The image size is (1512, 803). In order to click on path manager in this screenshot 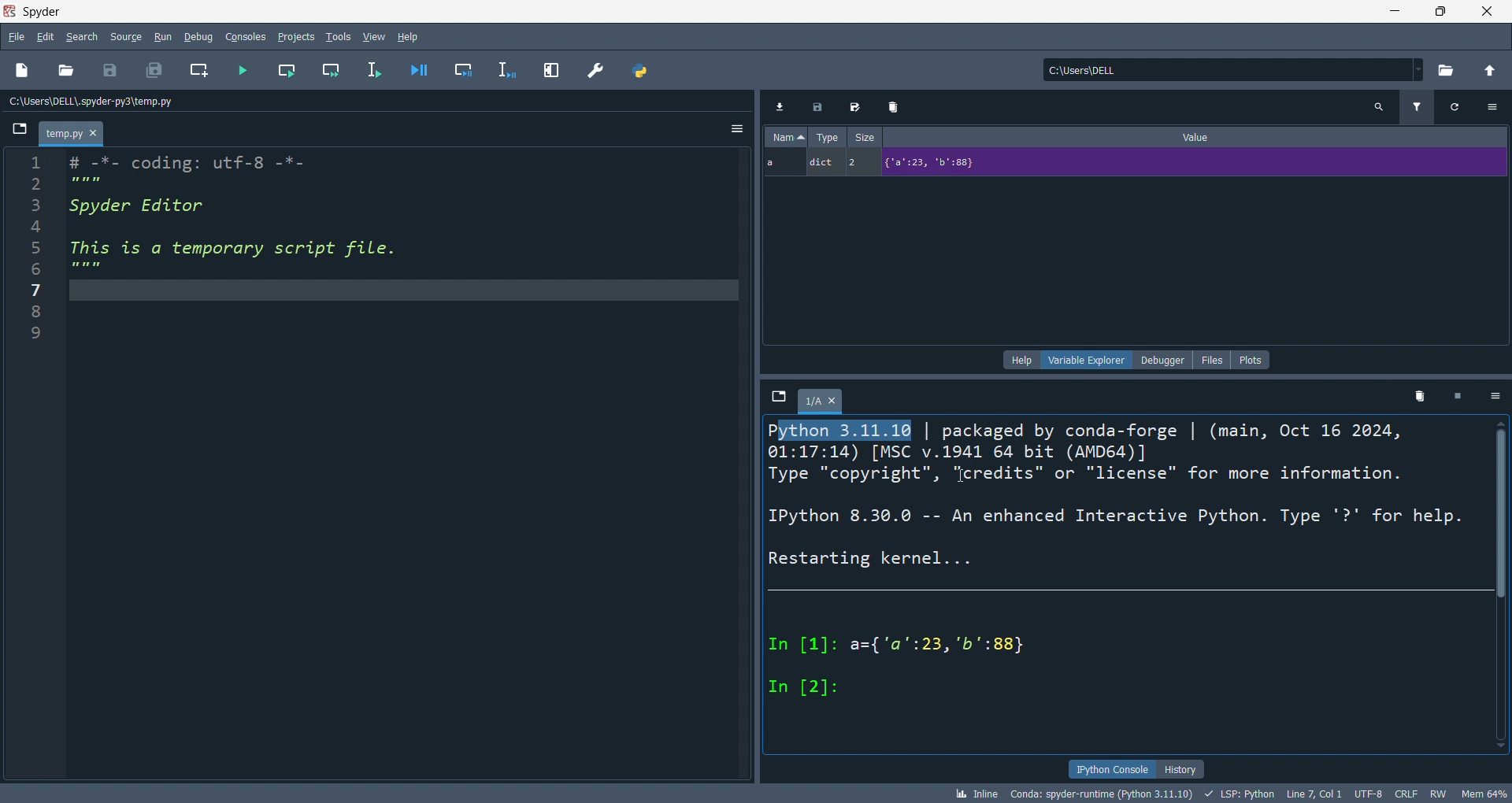, I will do `click(642, 72)`.